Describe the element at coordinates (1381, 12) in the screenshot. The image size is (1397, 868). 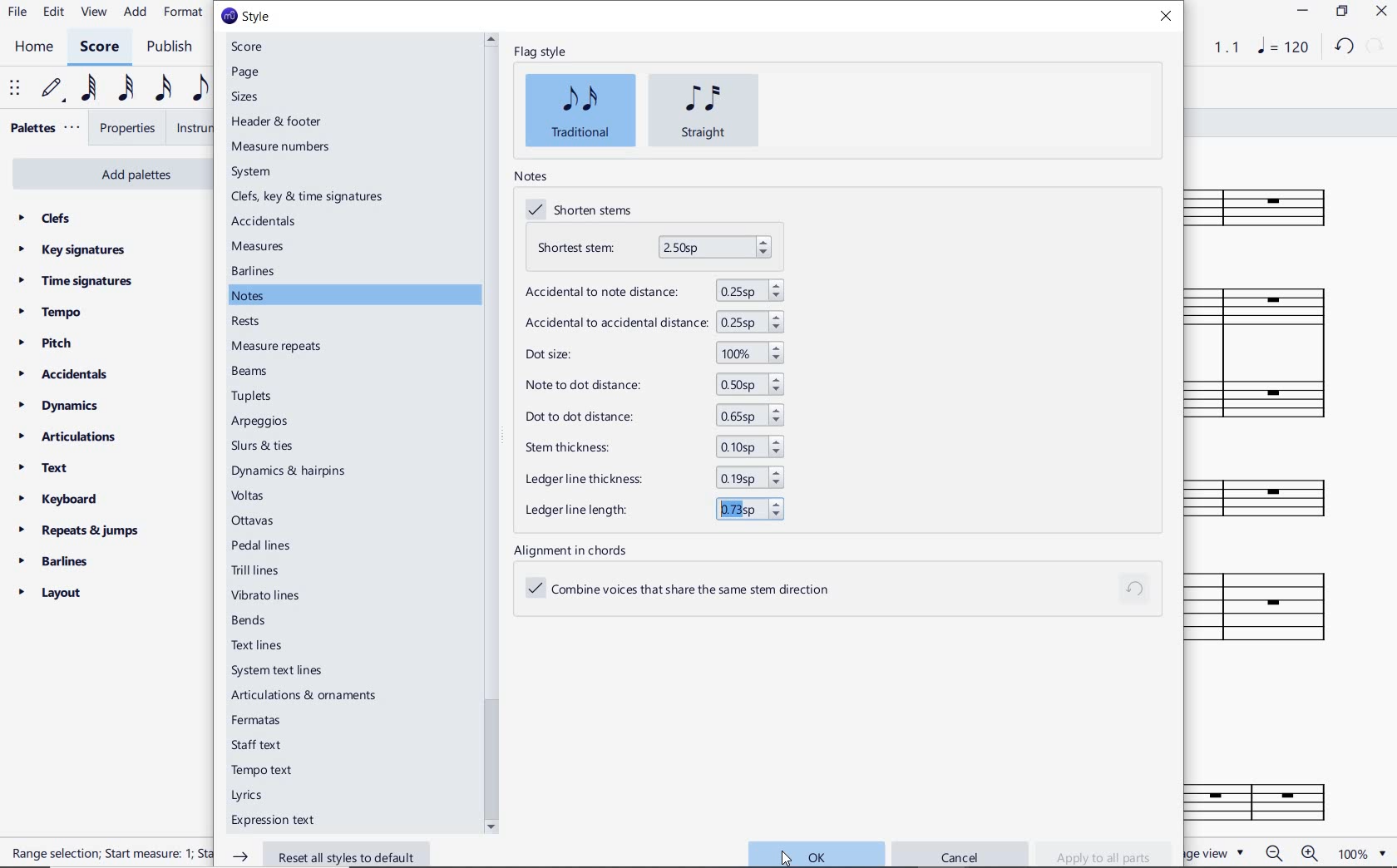
I see `CLOSE` at that location.